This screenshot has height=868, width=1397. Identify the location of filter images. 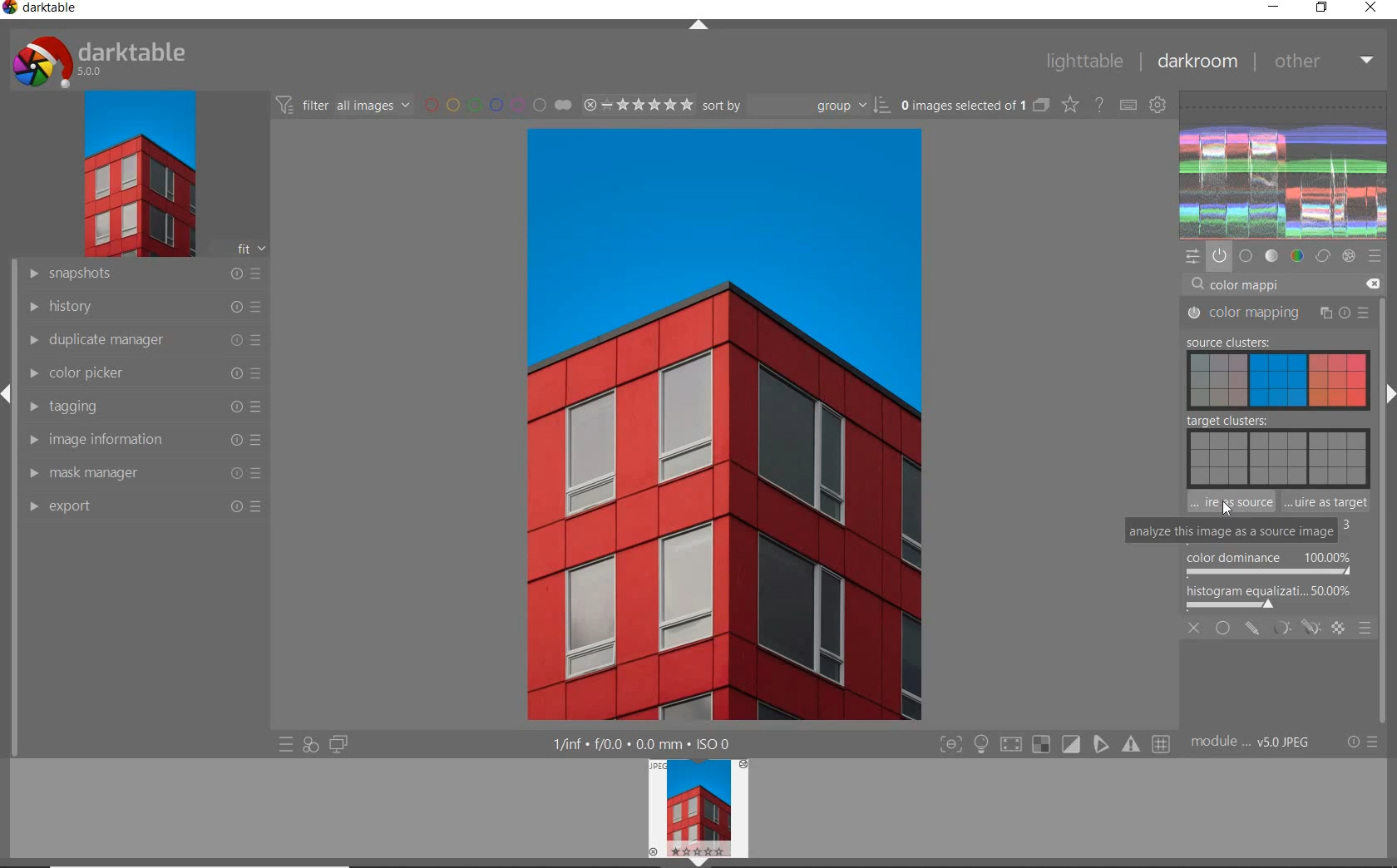
(342, 104).